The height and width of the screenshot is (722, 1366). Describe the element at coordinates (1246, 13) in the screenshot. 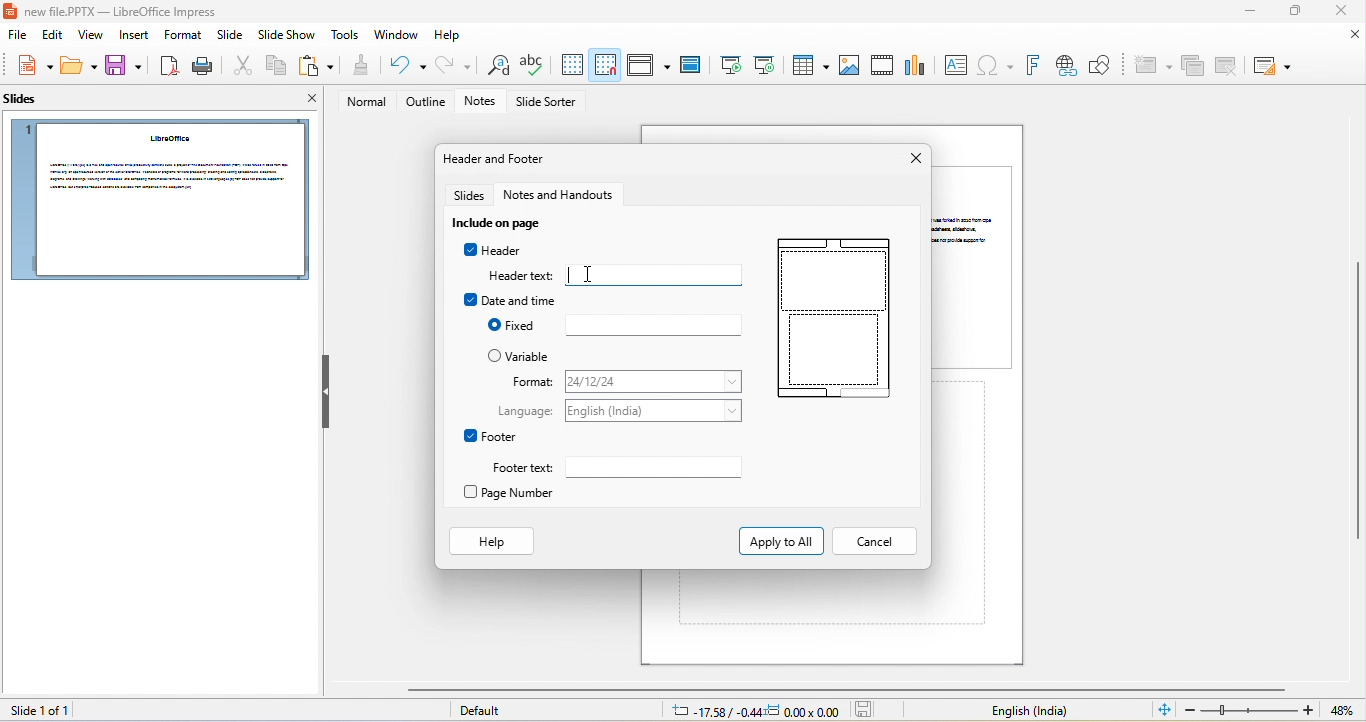

I see `minimize` at that location.